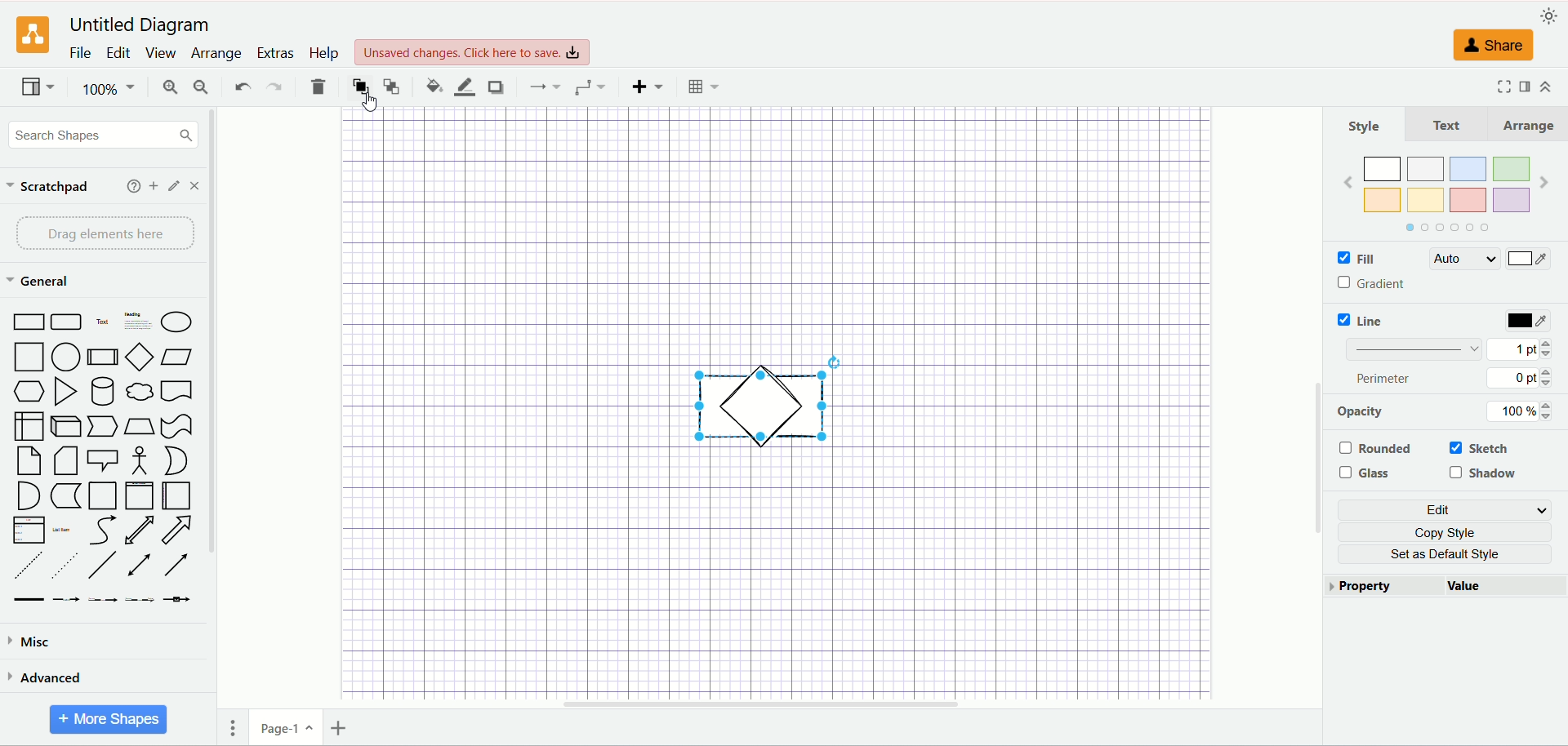 The width and height of the screenshot is (1568, 746). What do you see at coordinates (431, 85) in the screenshot?
I see `fill color` at bounding box center [431, 85].